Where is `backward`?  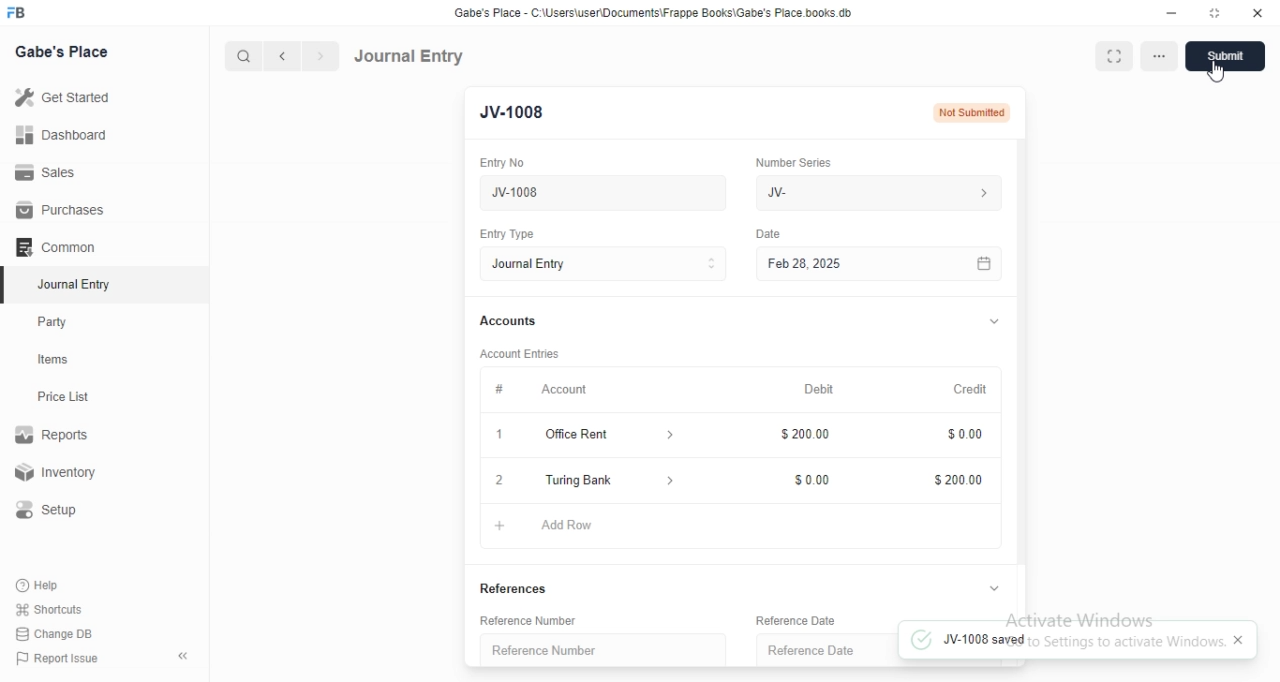
backward is located at coordinates (281, 57).